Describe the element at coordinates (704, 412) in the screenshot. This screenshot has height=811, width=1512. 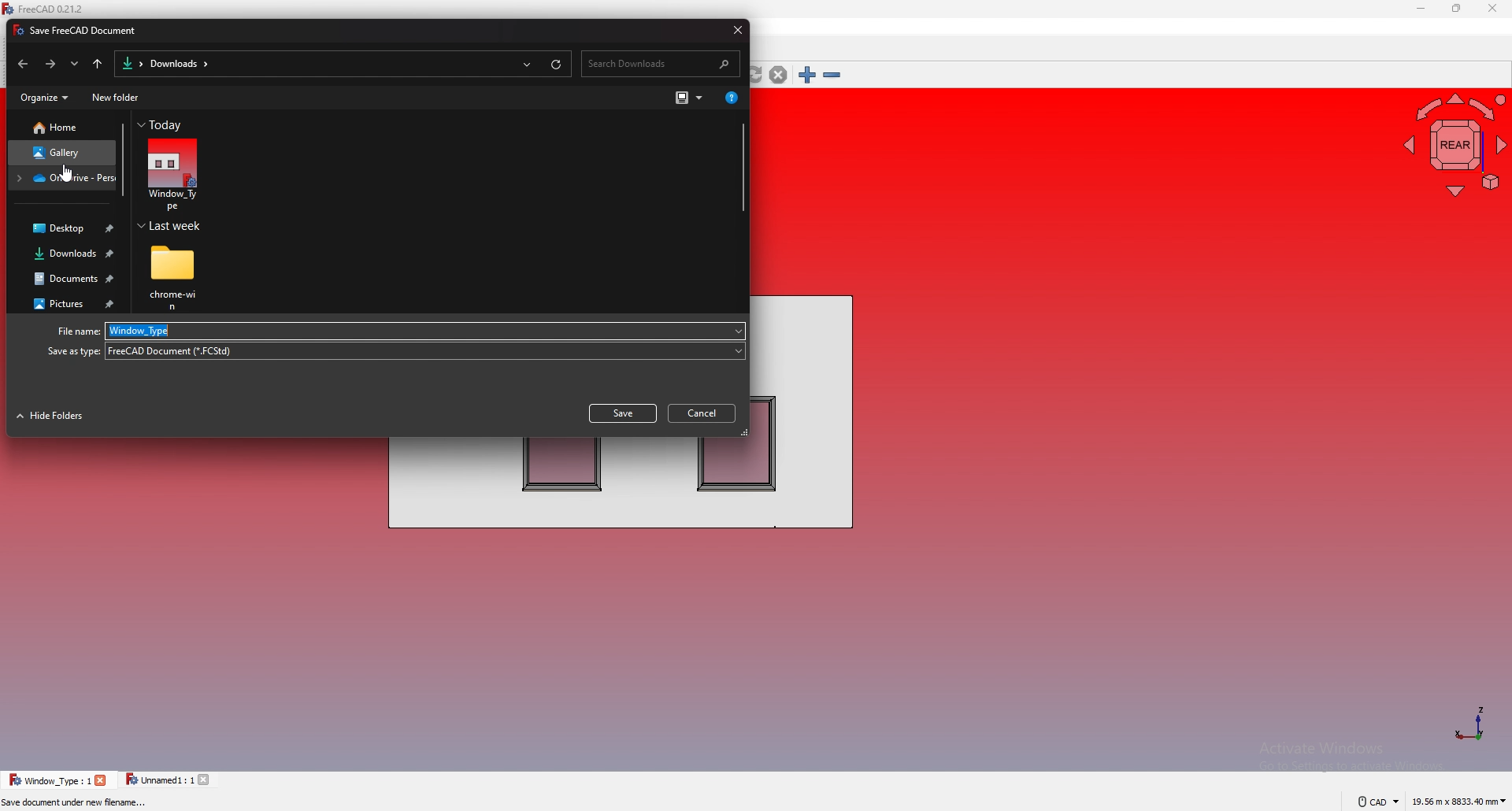
I see `cancel` at that location.